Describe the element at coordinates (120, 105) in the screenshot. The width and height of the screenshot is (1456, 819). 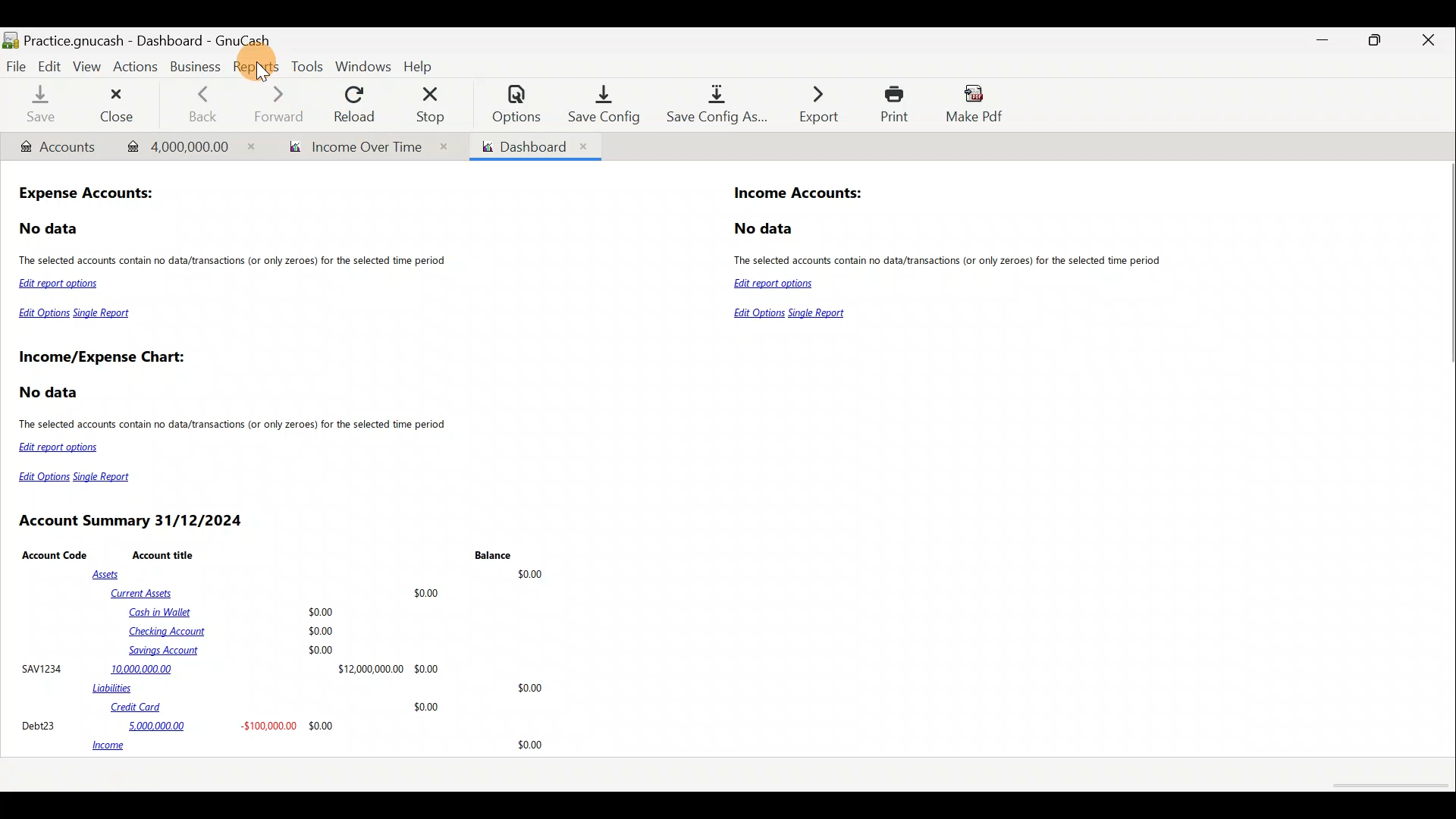
I see `Close` at that location.